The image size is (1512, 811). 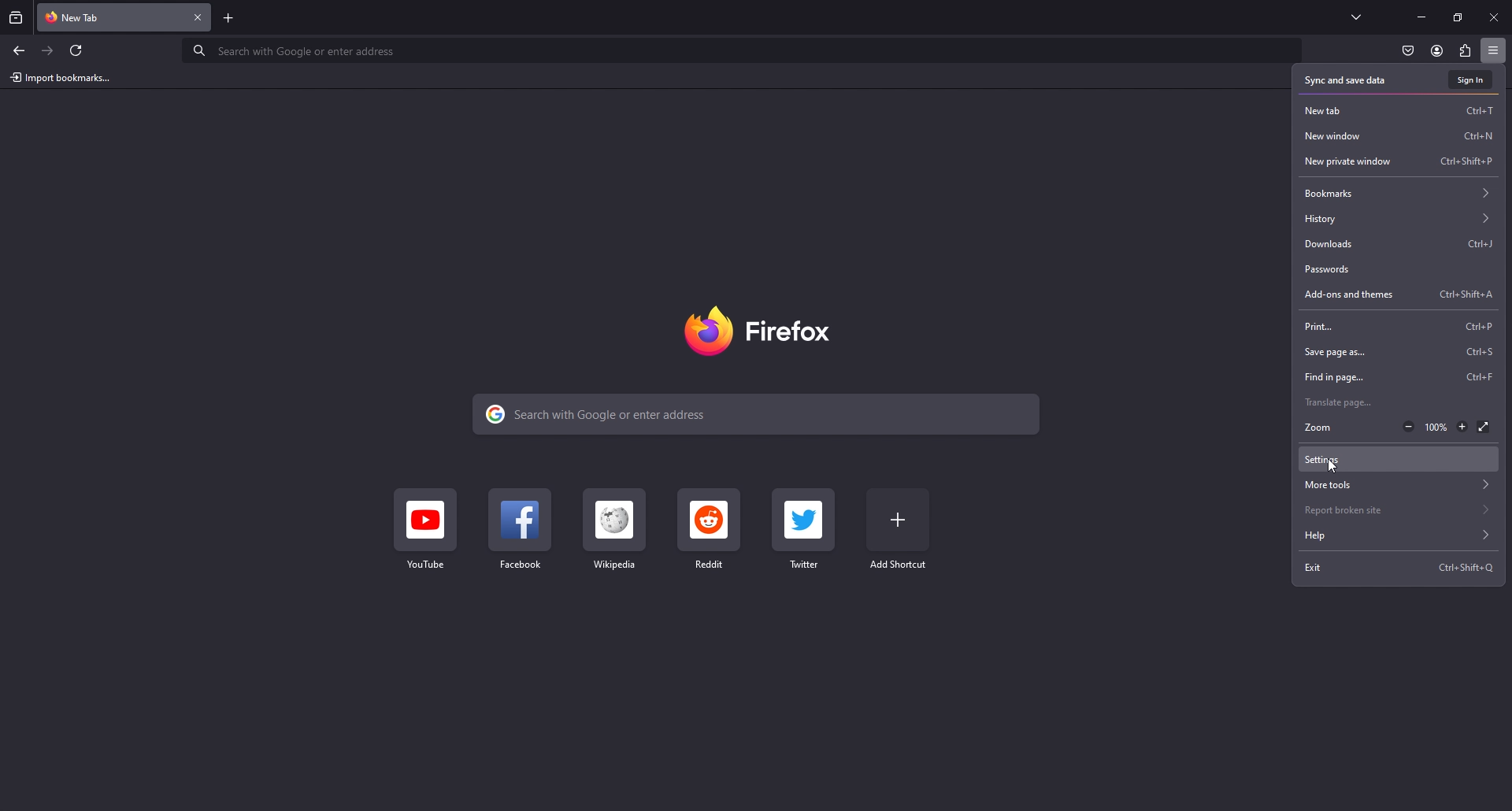 What do you see at coordinates (1435, 428) in the screenshot?
I see `zoom` at bounding box center [1435, 428].